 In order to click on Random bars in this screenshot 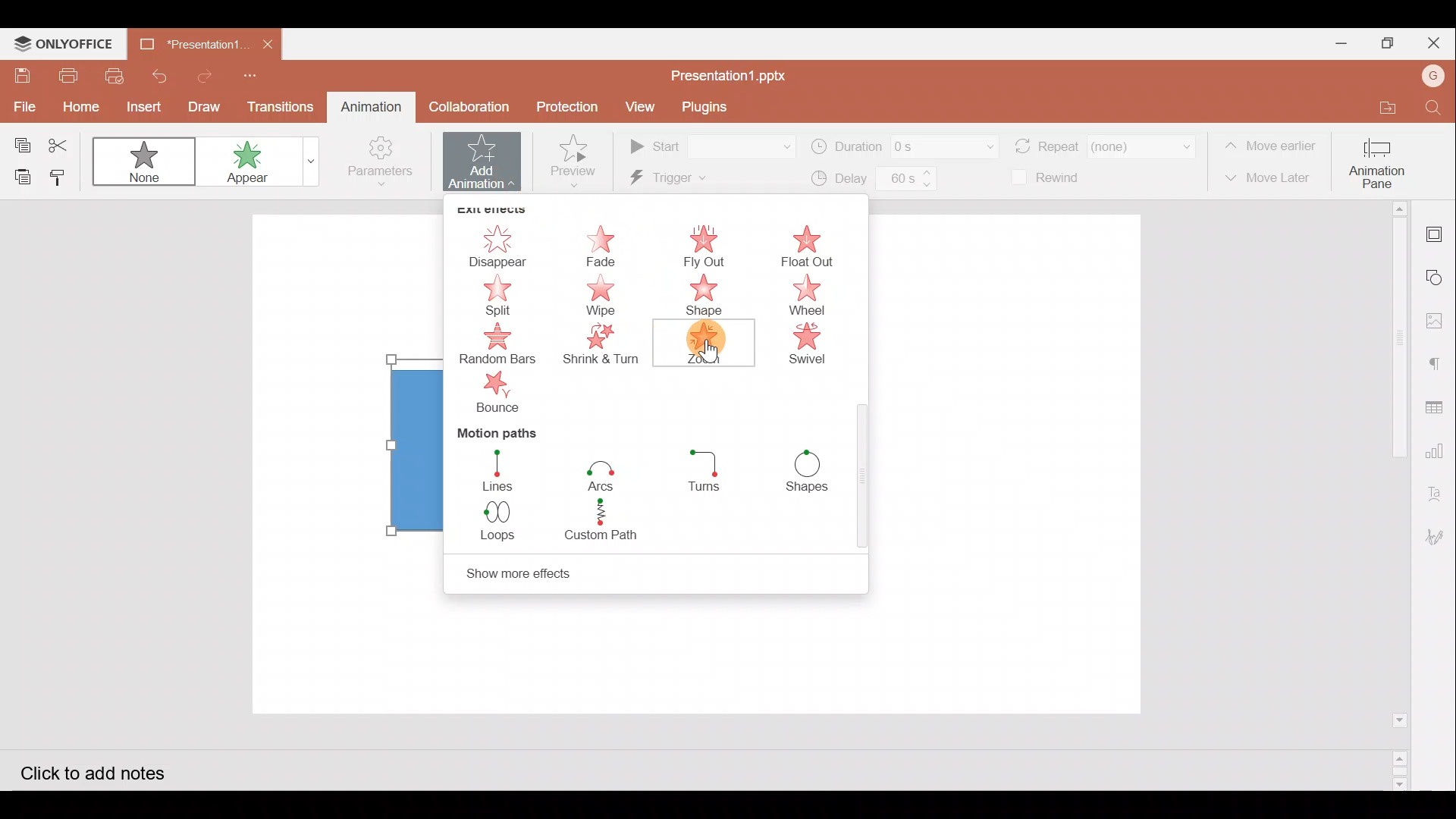, I will do `click(500, 344)`.